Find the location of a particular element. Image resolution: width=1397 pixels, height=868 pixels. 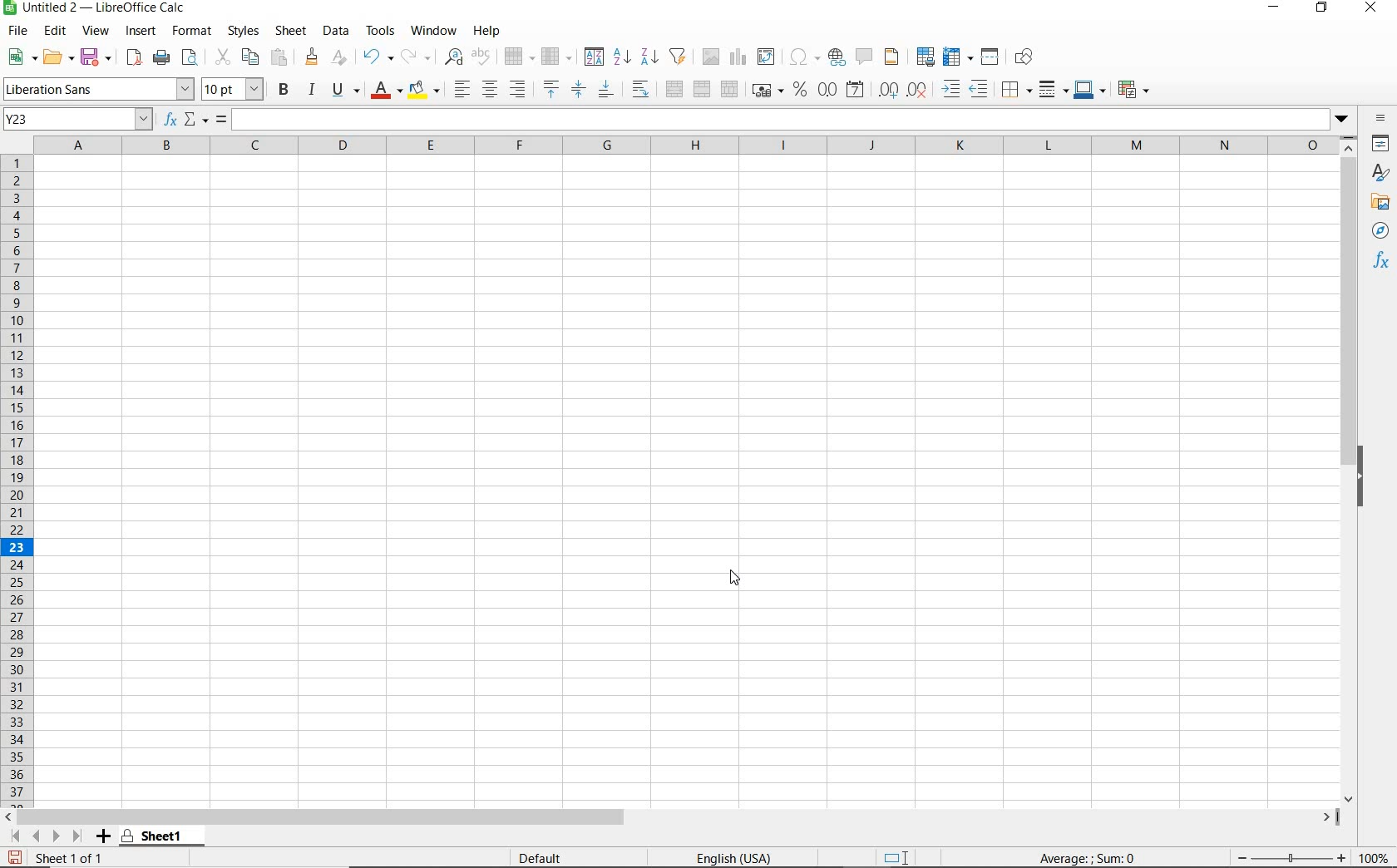

FONT COLOR is located at coordinates (386, 91).